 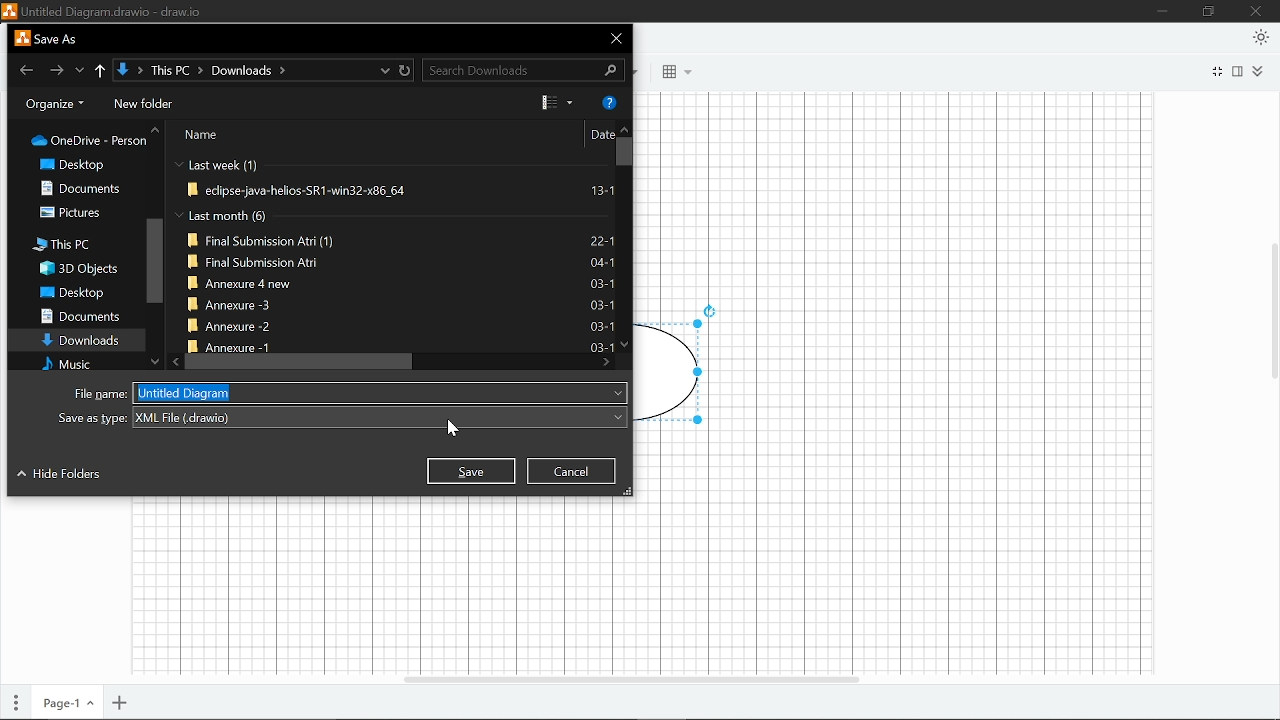 What do you see at coordinates (618, 37) in the screenshot?
I see `close` at bounding box center [618, 37].